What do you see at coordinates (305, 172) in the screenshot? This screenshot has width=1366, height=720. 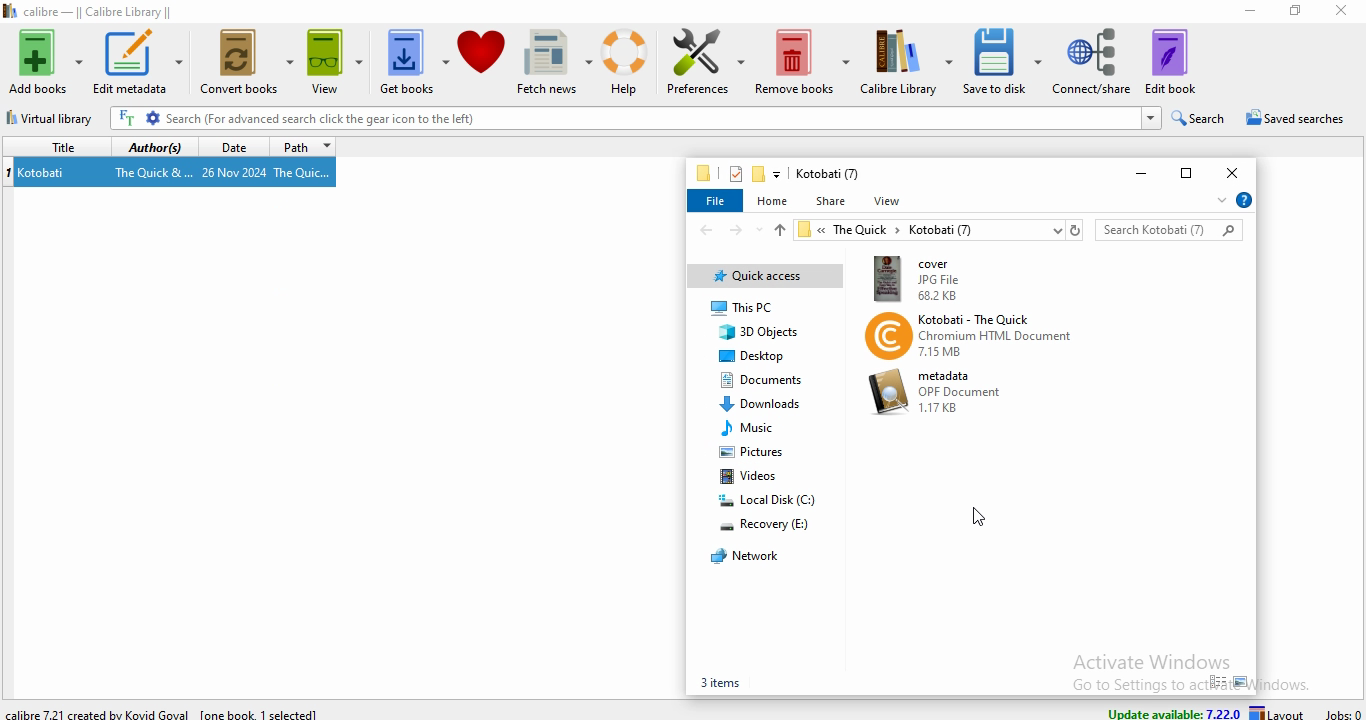 I see `The Quic...` at bounding box center [305, 172].